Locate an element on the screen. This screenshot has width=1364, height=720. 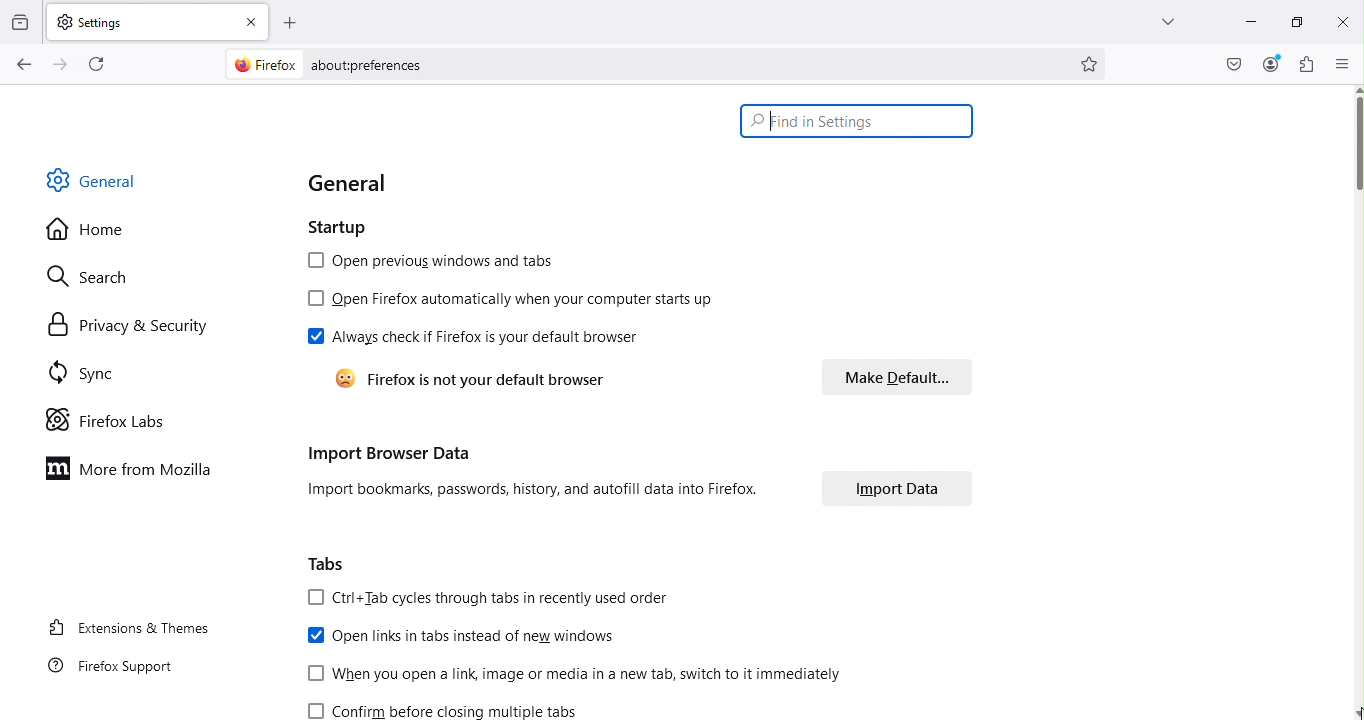
Open application menu is located at coordinates (1343, 63).